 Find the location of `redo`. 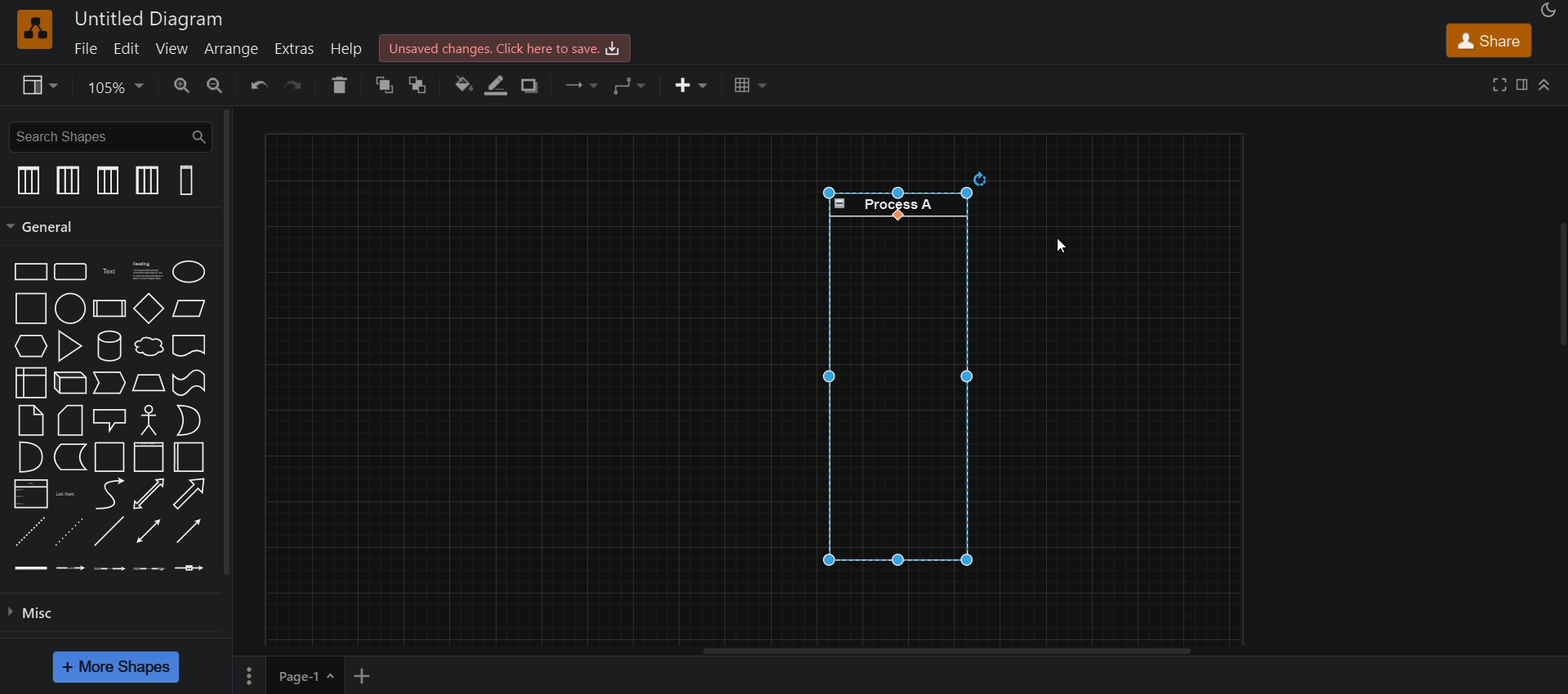

redo is located at coordinates (296, 87).